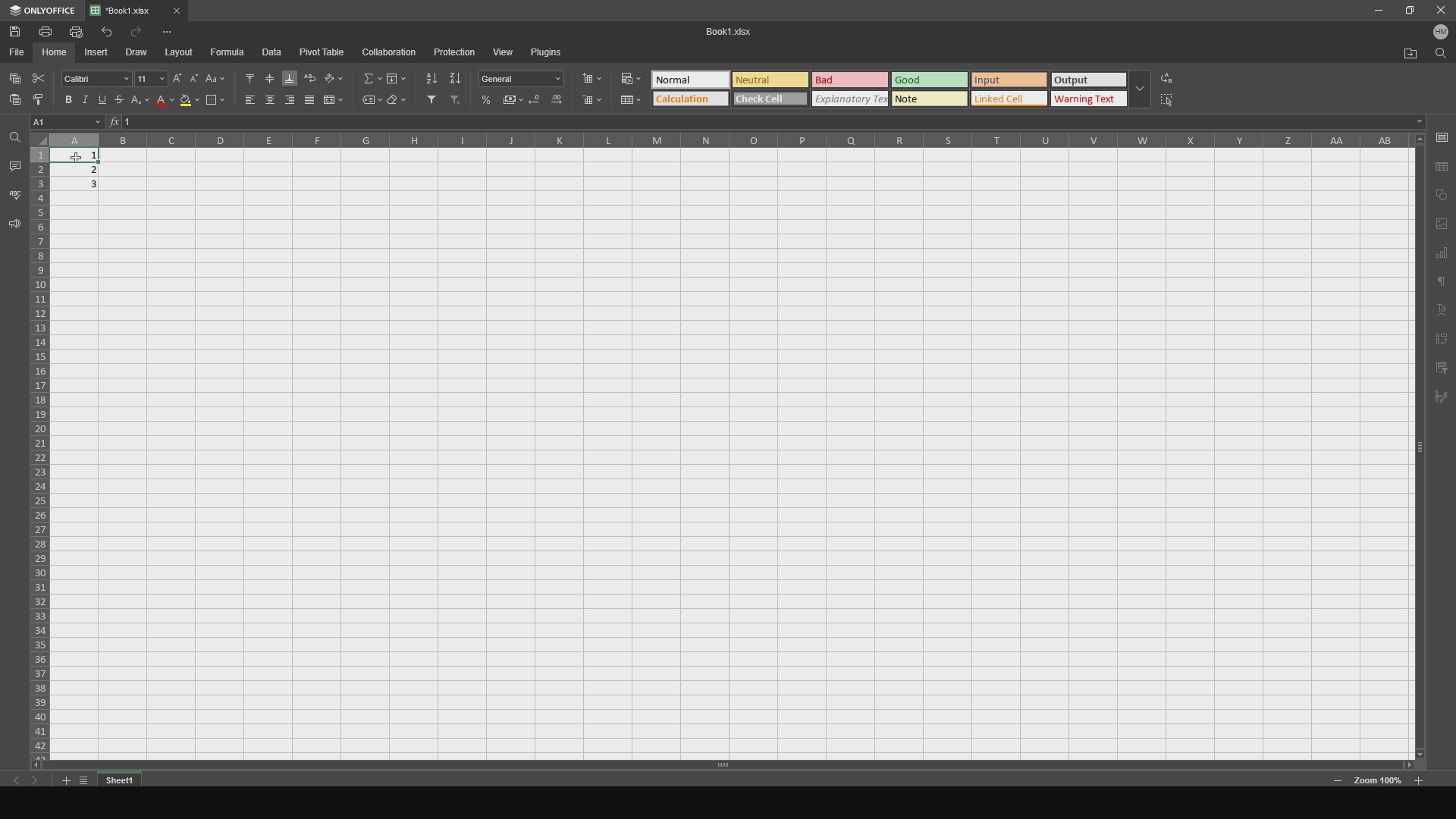 Image resolution: width=1456 pixels, height=819 pixels. What do you see at coordinates (69, 121) in the screenshot?
I see `cell` at bounding box center [69, 121].